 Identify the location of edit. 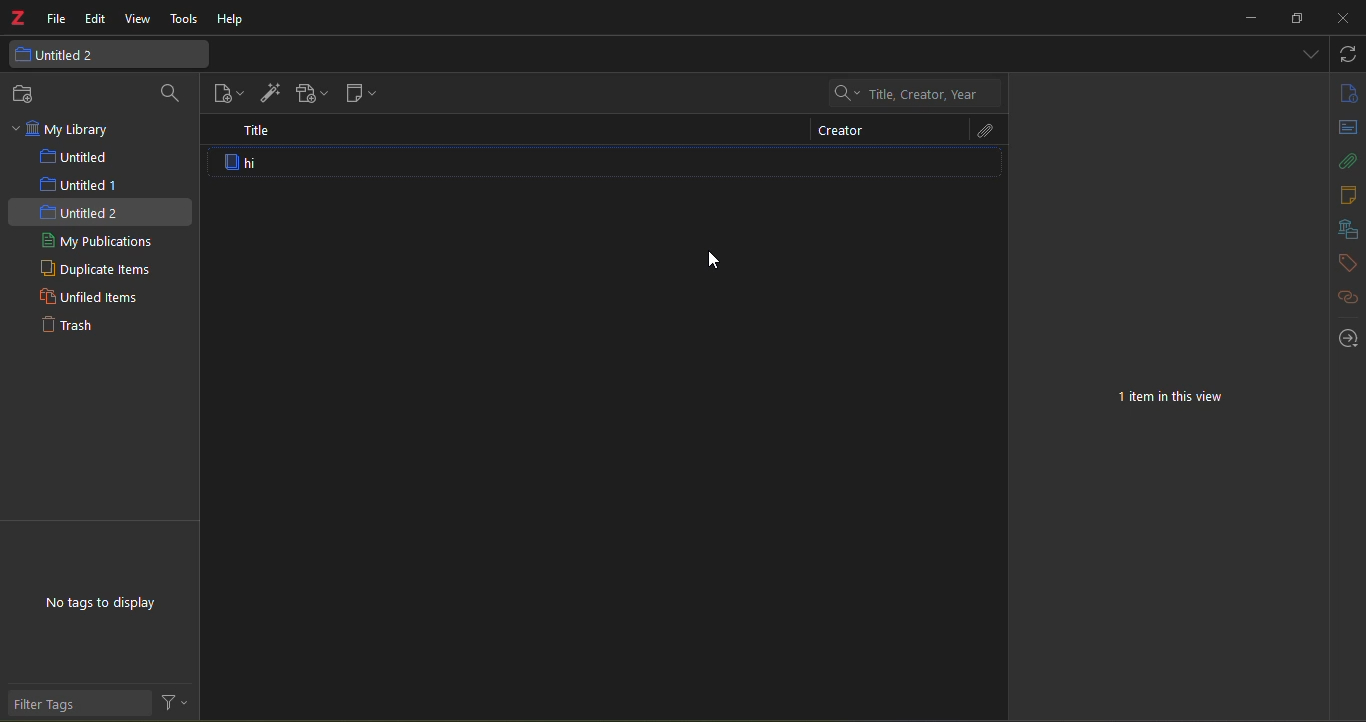
(95, 18).